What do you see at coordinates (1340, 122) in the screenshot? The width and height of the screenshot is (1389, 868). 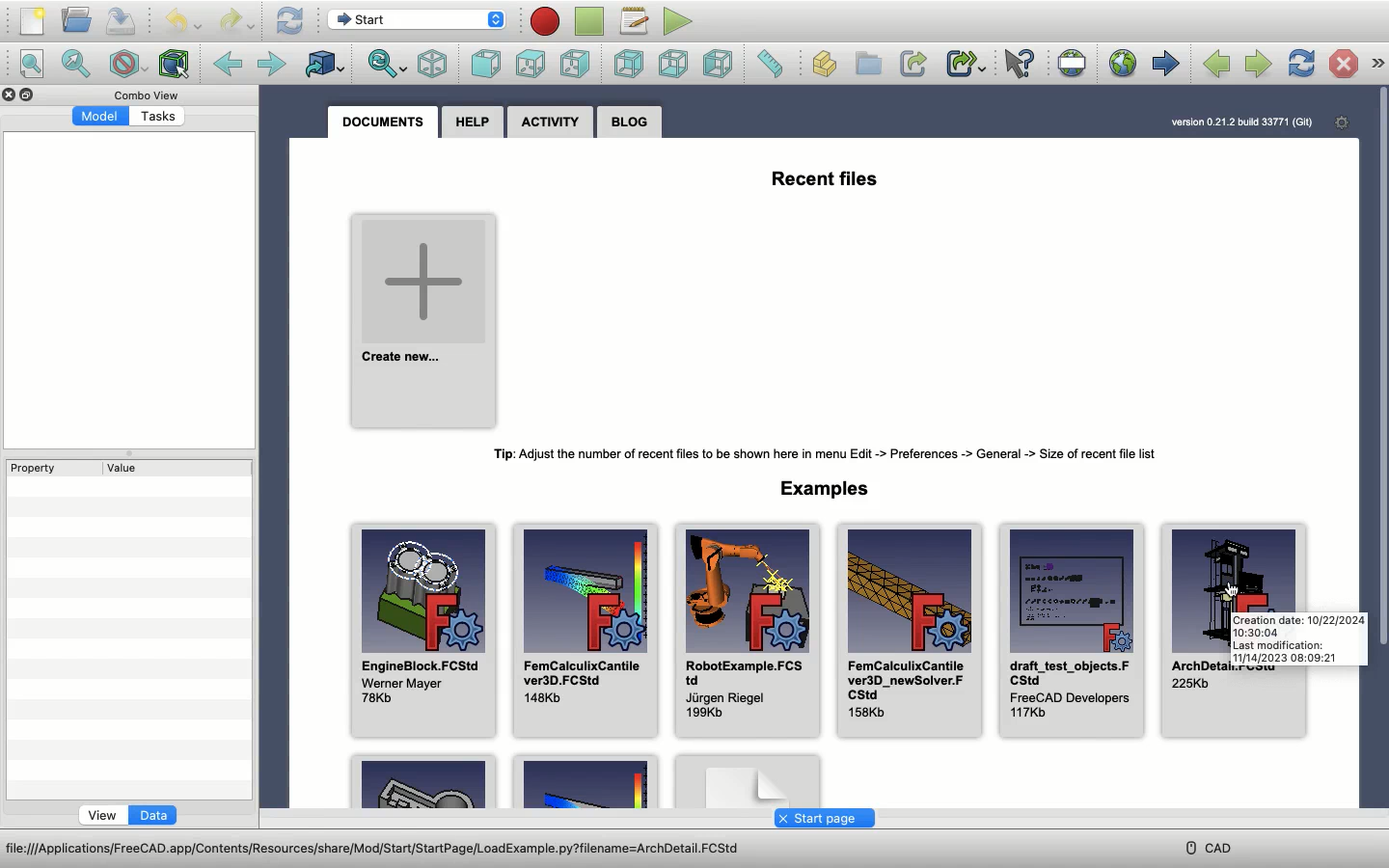 I see `Open start page preferences` at bounding box center [1340, 122].